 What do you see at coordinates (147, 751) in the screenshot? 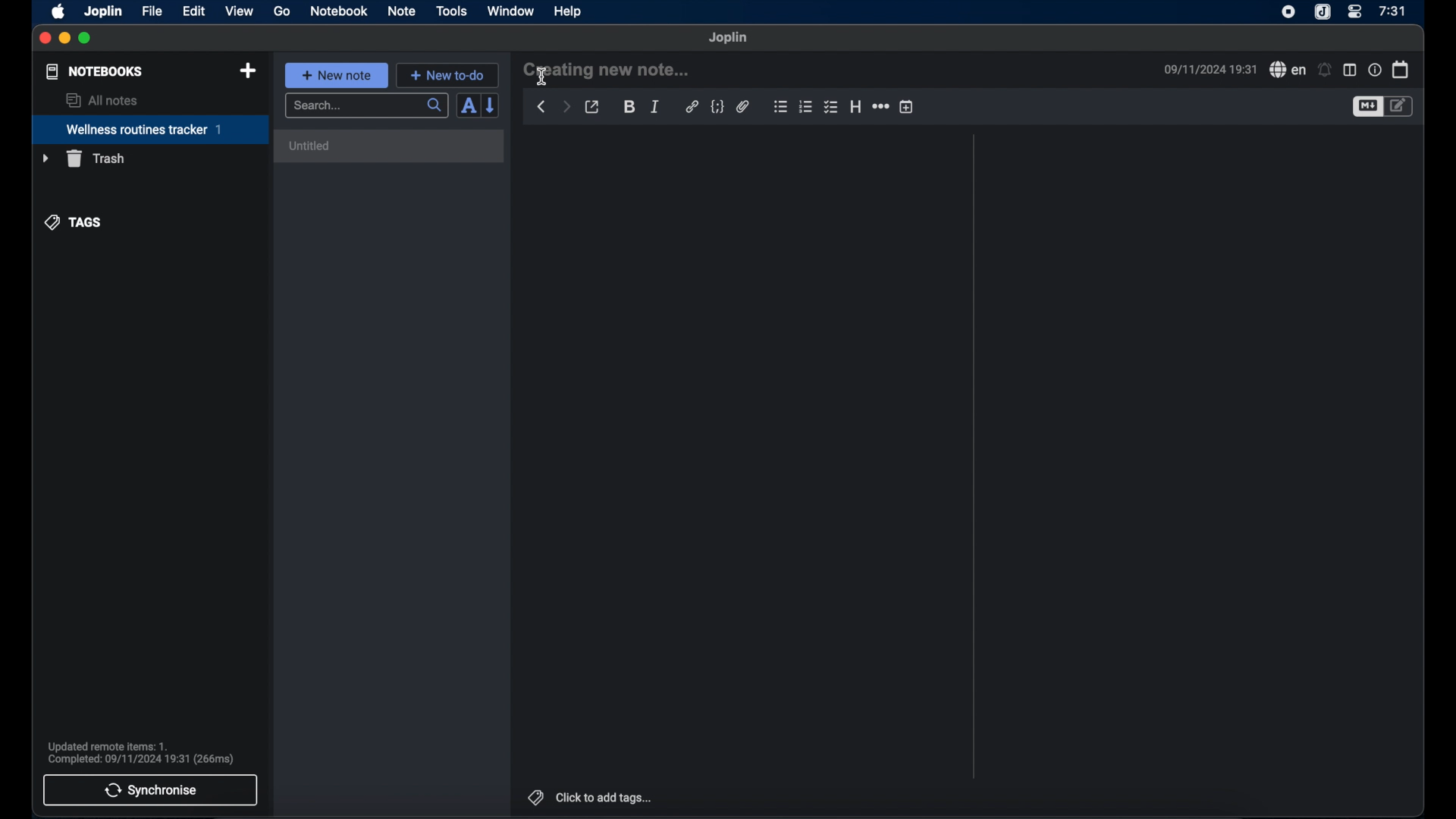
I see `Updated remote items: 1. Complete: 09/11/2024 19:31 (266ms)` at bounding box center [147, 751].